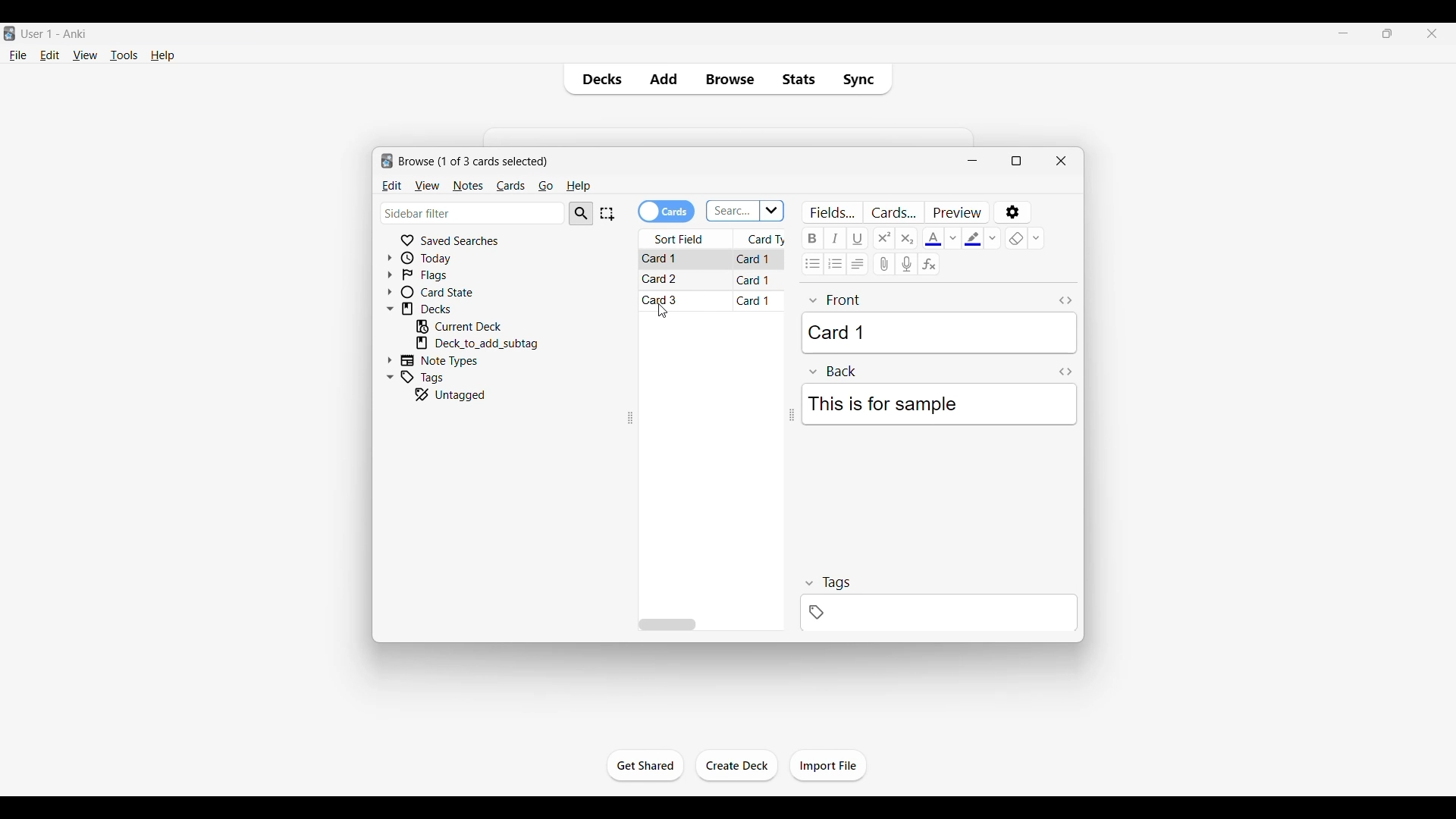  What do you see at coordinates (510, 187) in the screenshot?
I see `Cards menu` at bounding box center [510, 187].